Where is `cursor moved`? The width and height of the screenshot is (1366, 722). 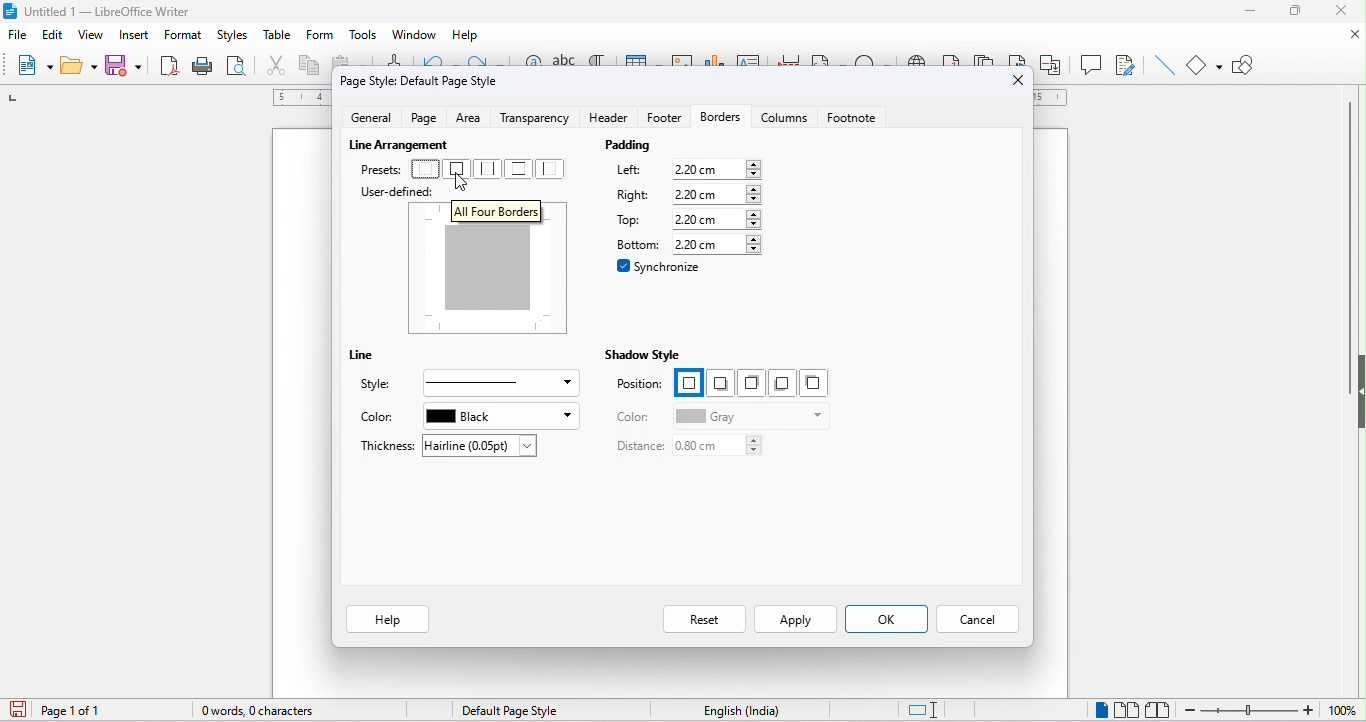
cursor moved is located at coordinates (464, 185).